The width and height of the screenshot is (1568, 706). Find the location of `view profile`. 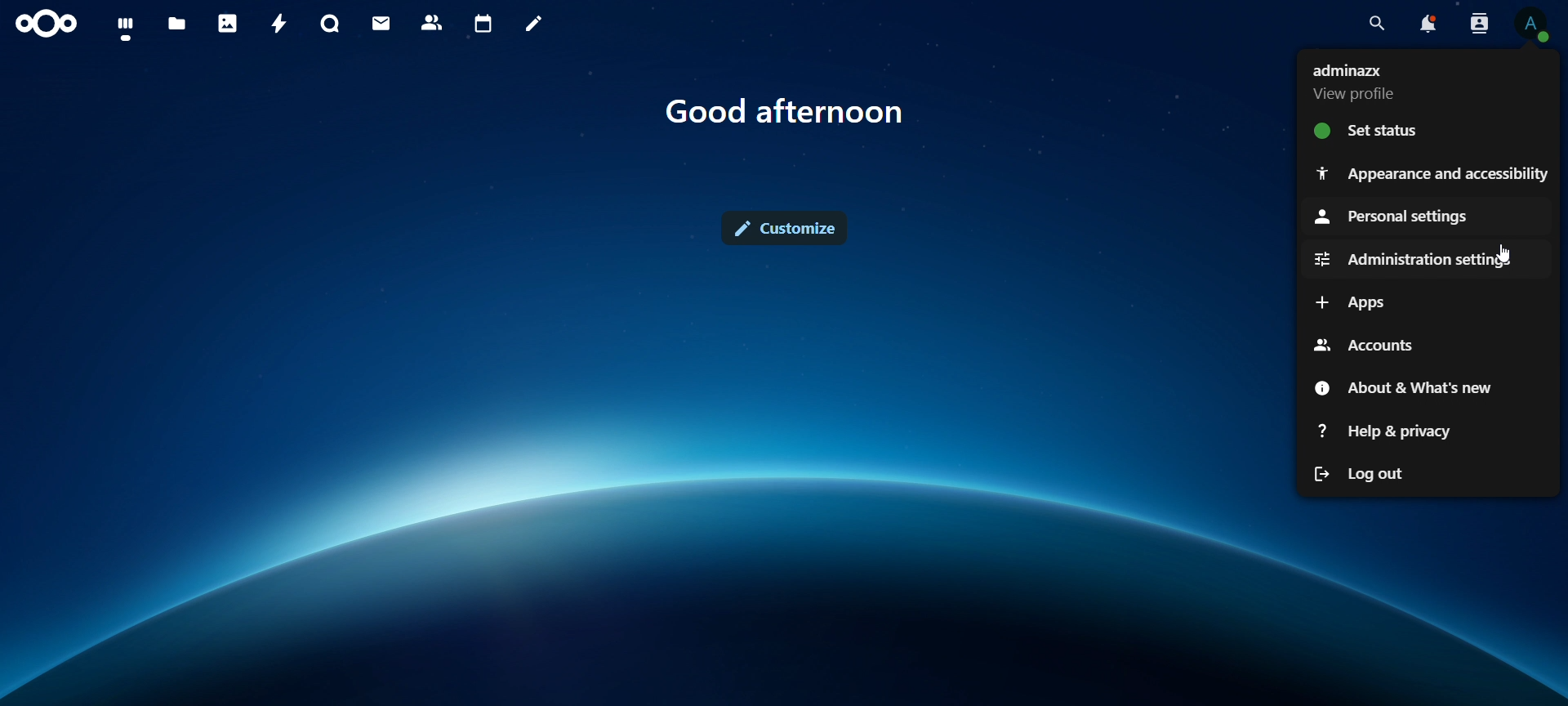

view profile is located at coordinates (1367, 77).